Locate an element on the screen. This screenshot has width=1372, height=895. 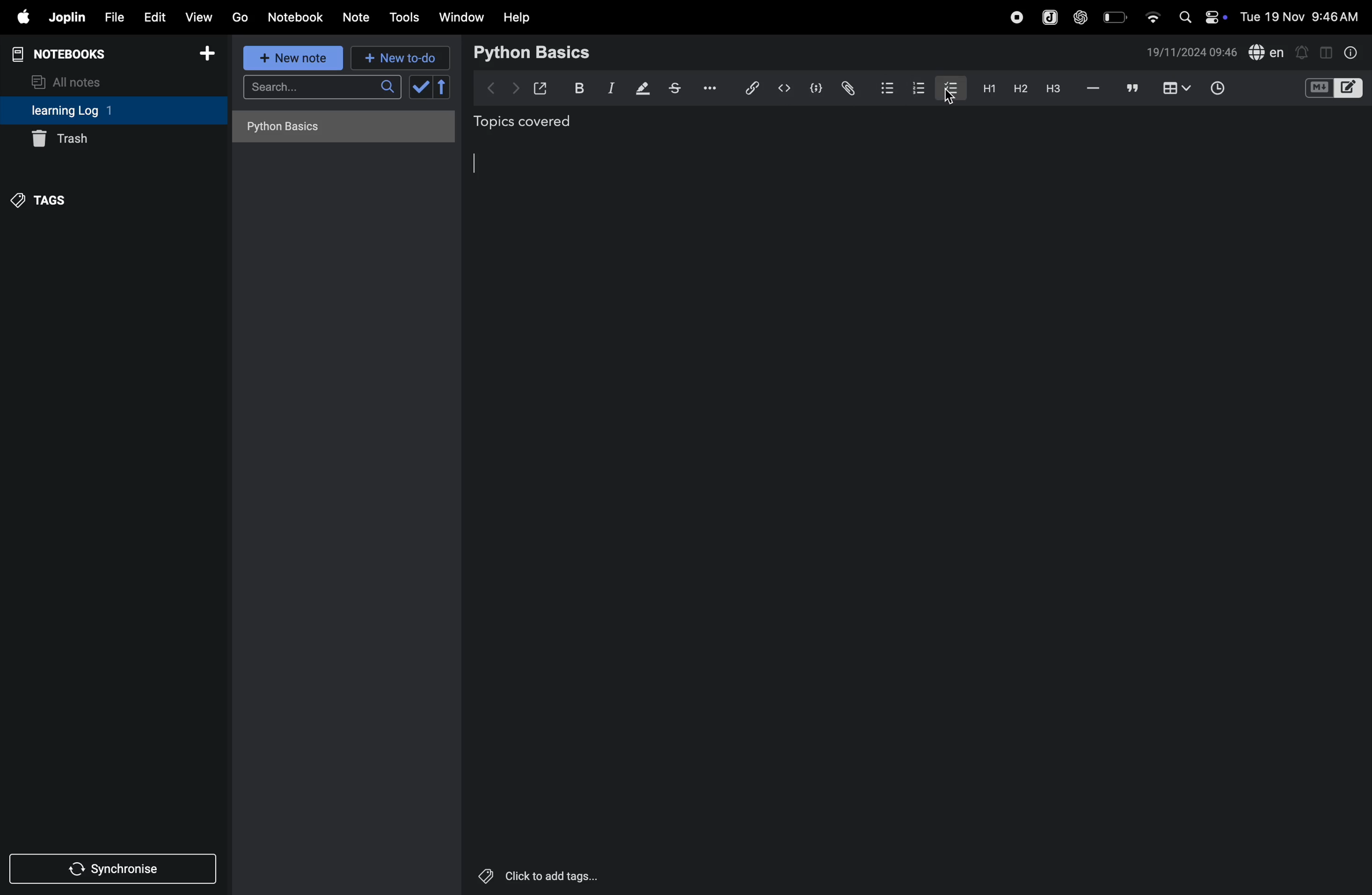
date and time is located at coordinates (1303, 16).